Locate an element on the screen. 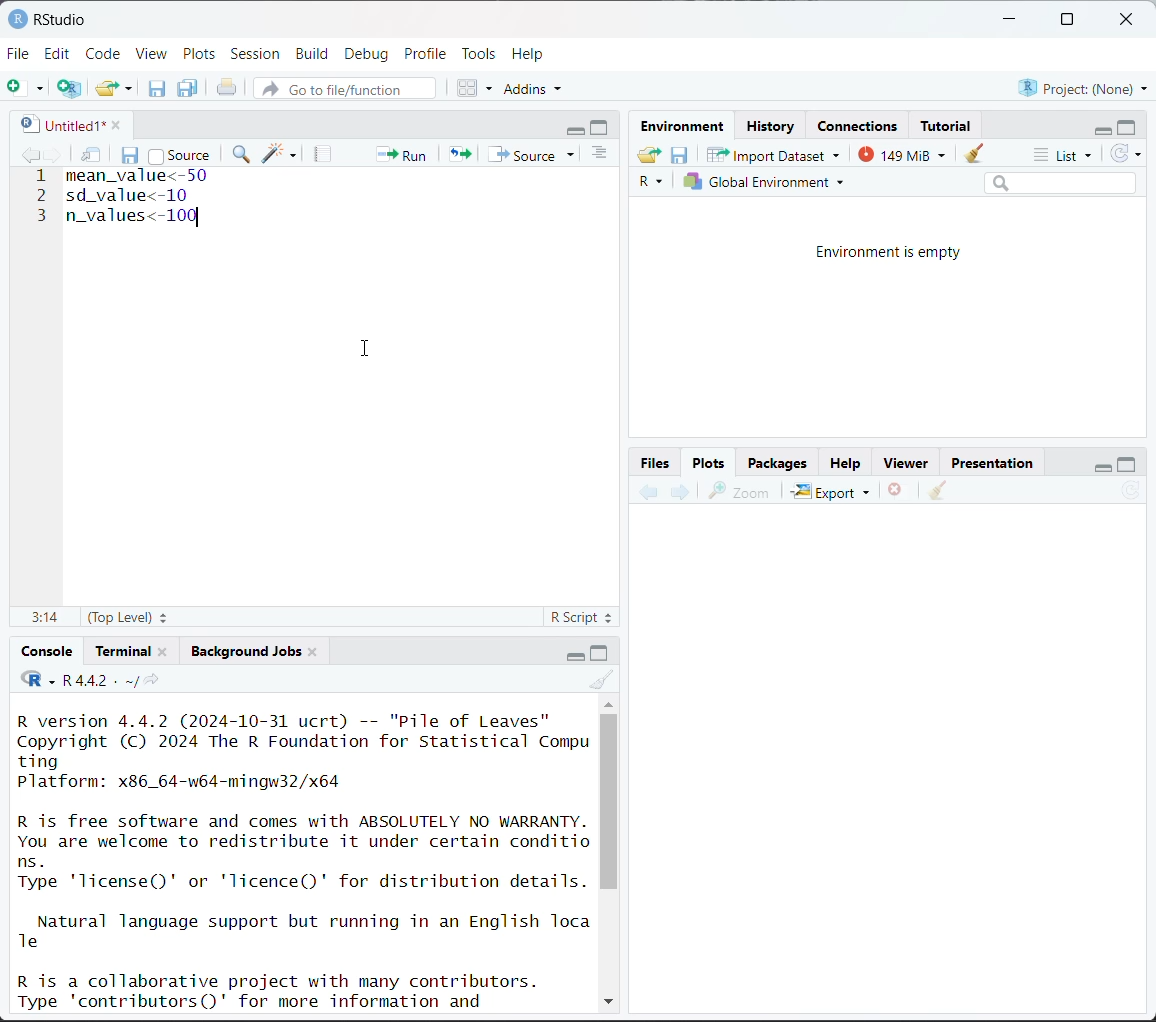 This screenshot has height=1022, width=1156. Viewer is located at coordinates (910, 464).